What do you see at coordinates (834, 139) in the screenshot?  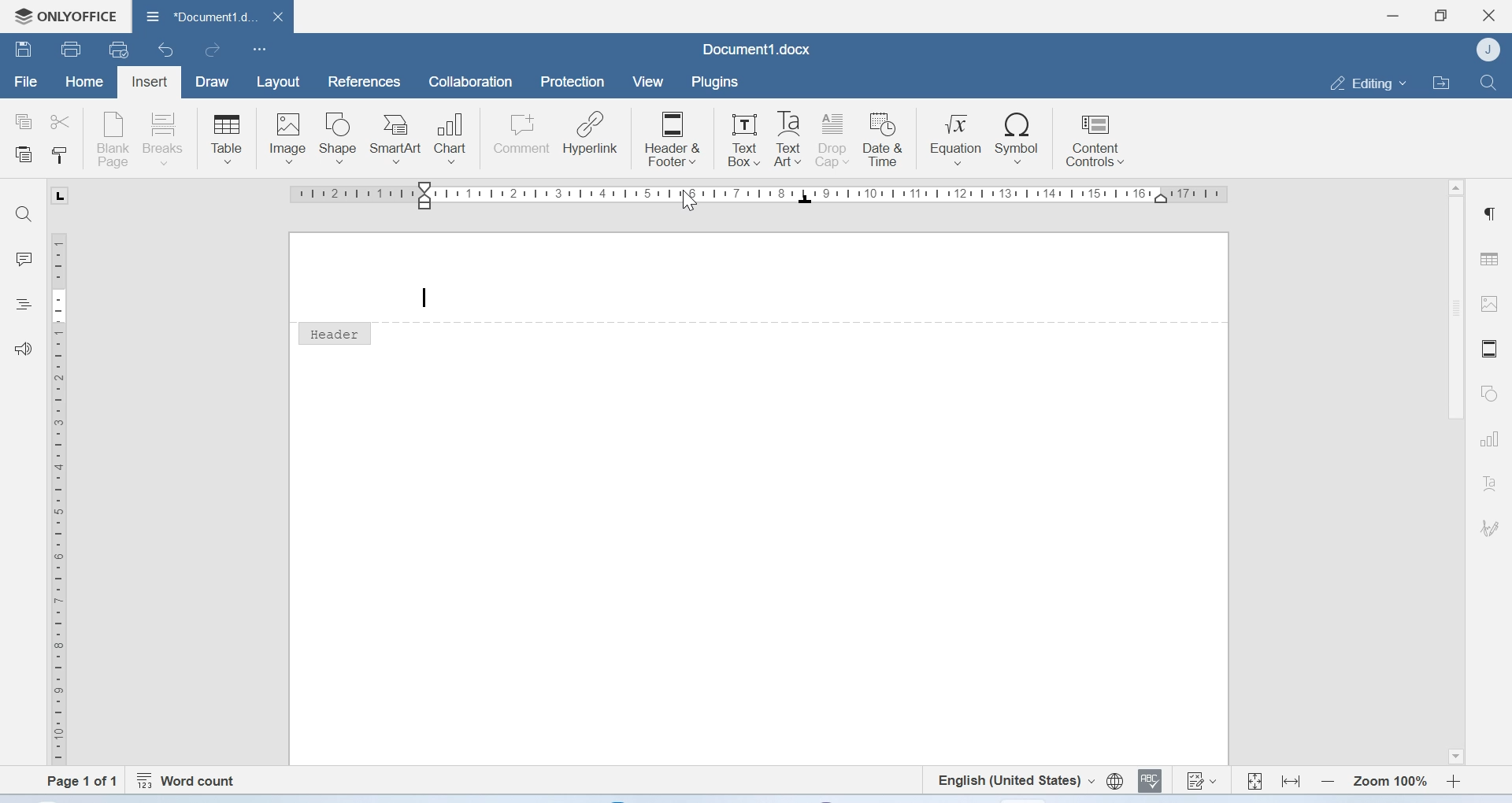 I see `Drop cap` at bounding box center [834, 139].